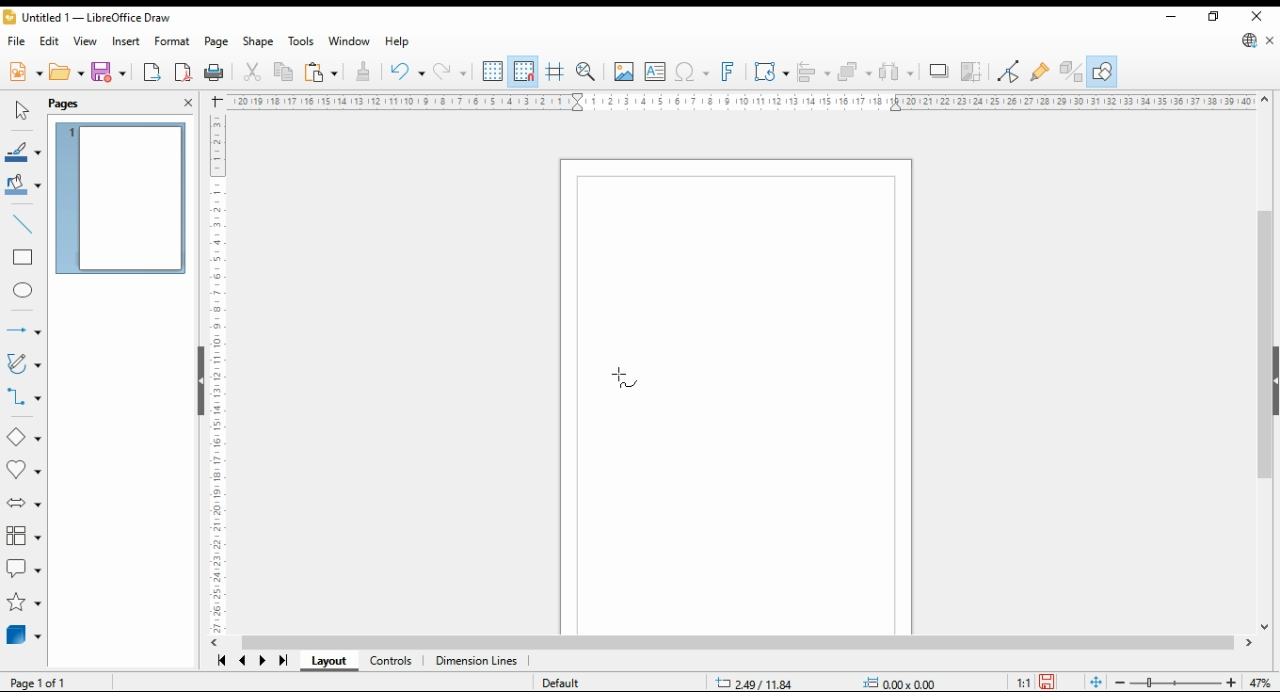 This screenshot has width=1280, height=692. Describe the element at coordinates (625, 376) in the screenshot. I see `mouse pointer` at that location.